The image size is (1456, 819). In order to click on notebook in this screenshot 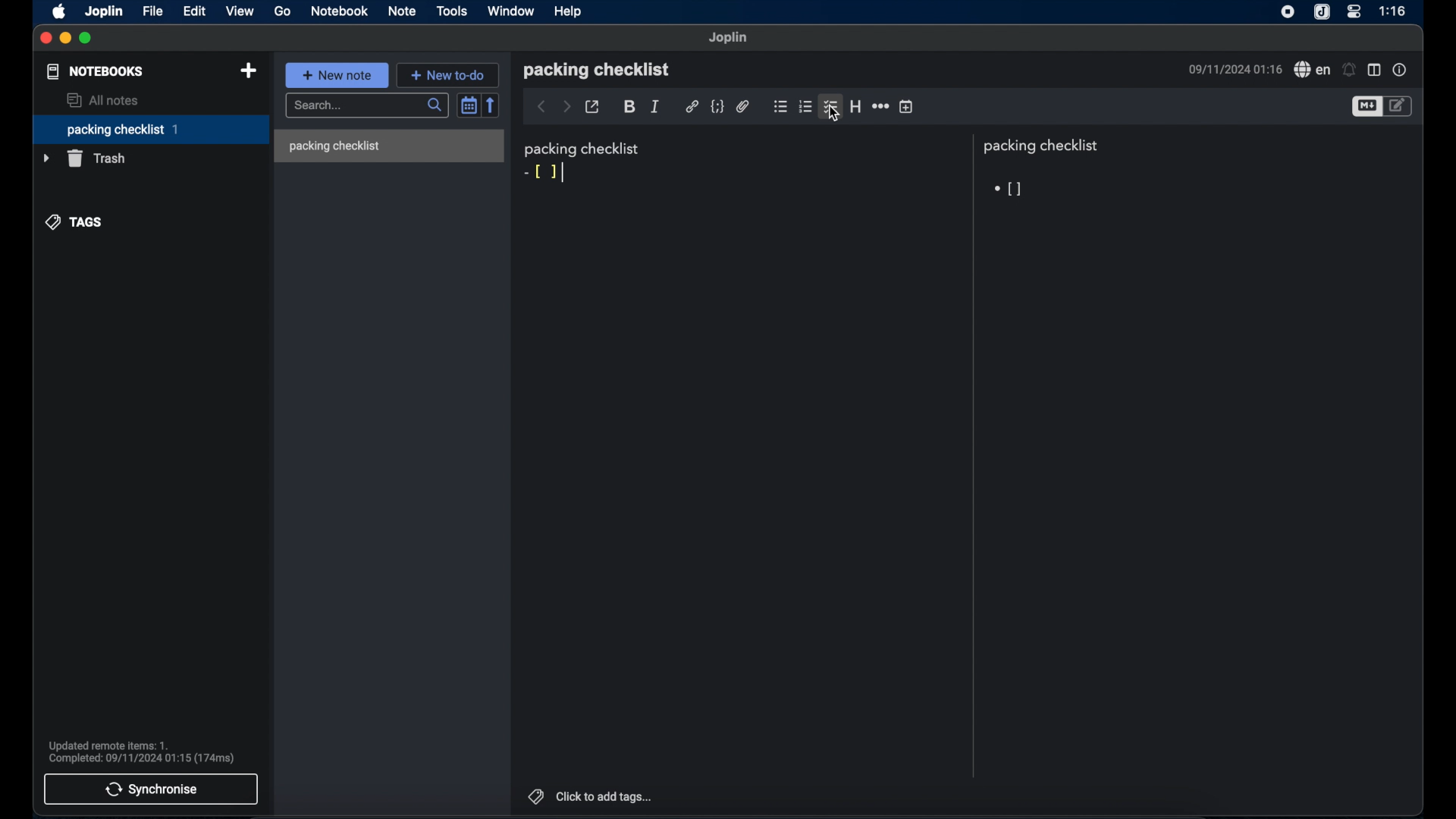, I will do `click(339, 11)`.